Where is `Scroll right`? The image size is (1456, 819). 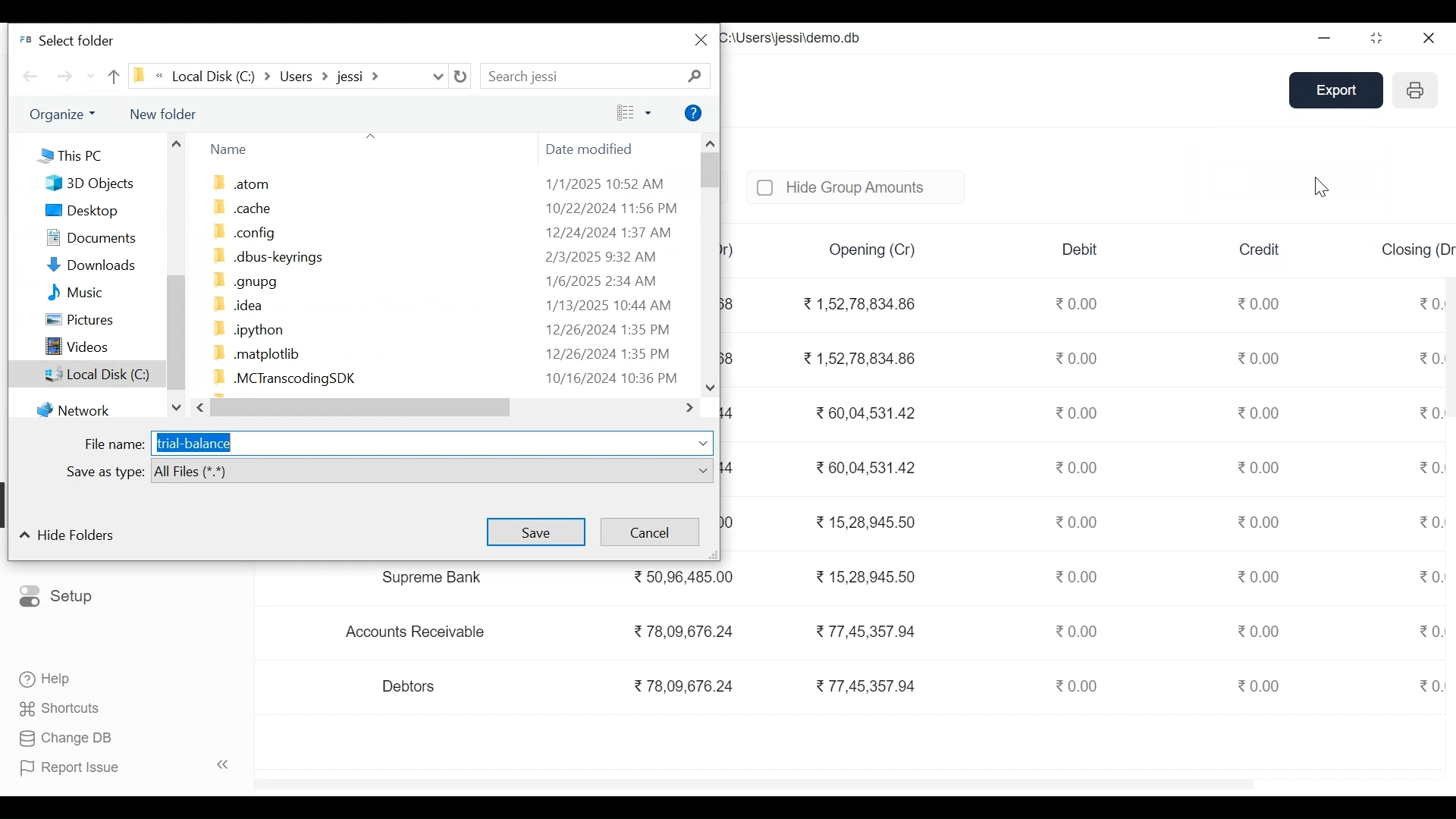 Scroll right is located at coordinates (692, 408).